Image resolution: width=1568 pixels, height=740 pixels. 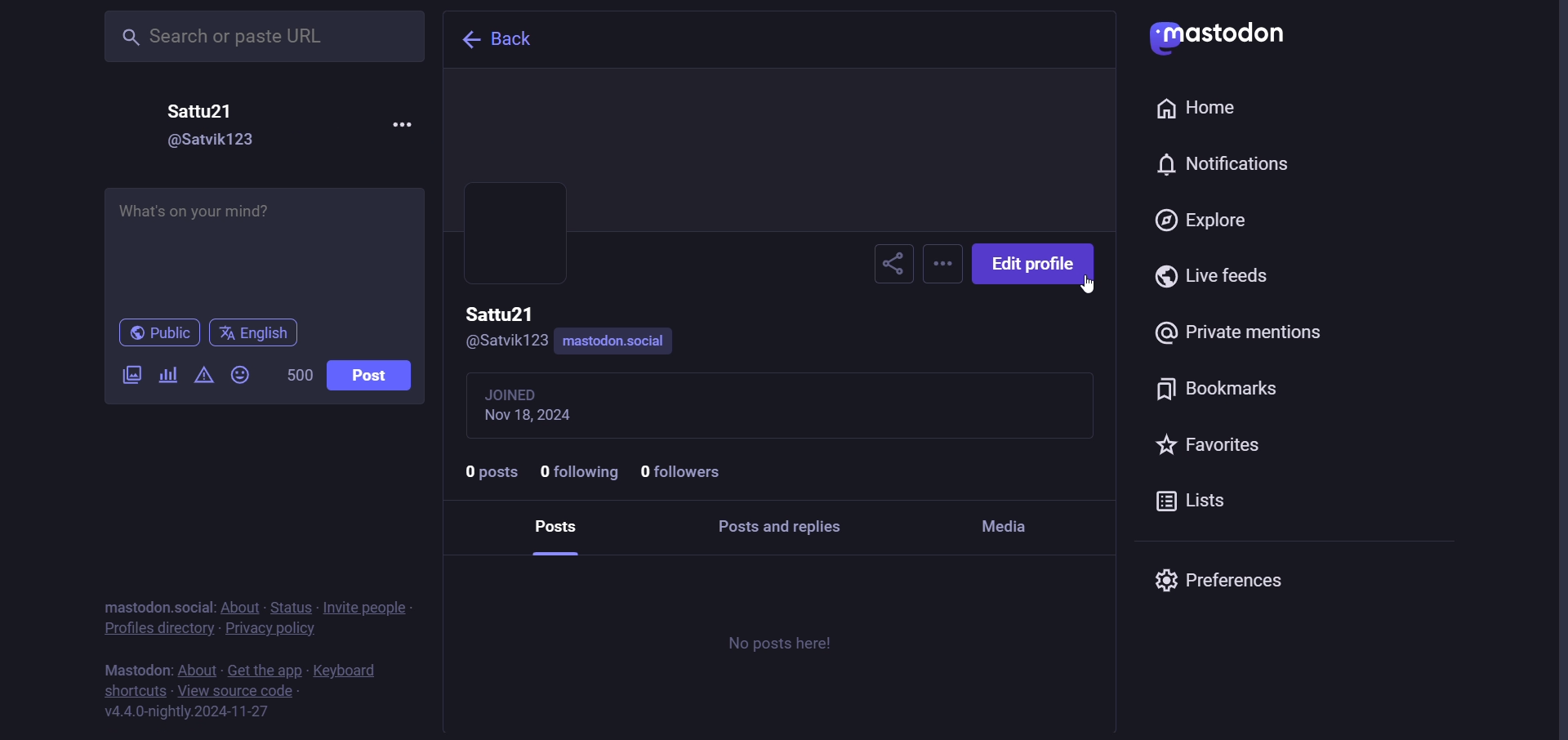 I want to click on media, so click(x=1010, y=528).